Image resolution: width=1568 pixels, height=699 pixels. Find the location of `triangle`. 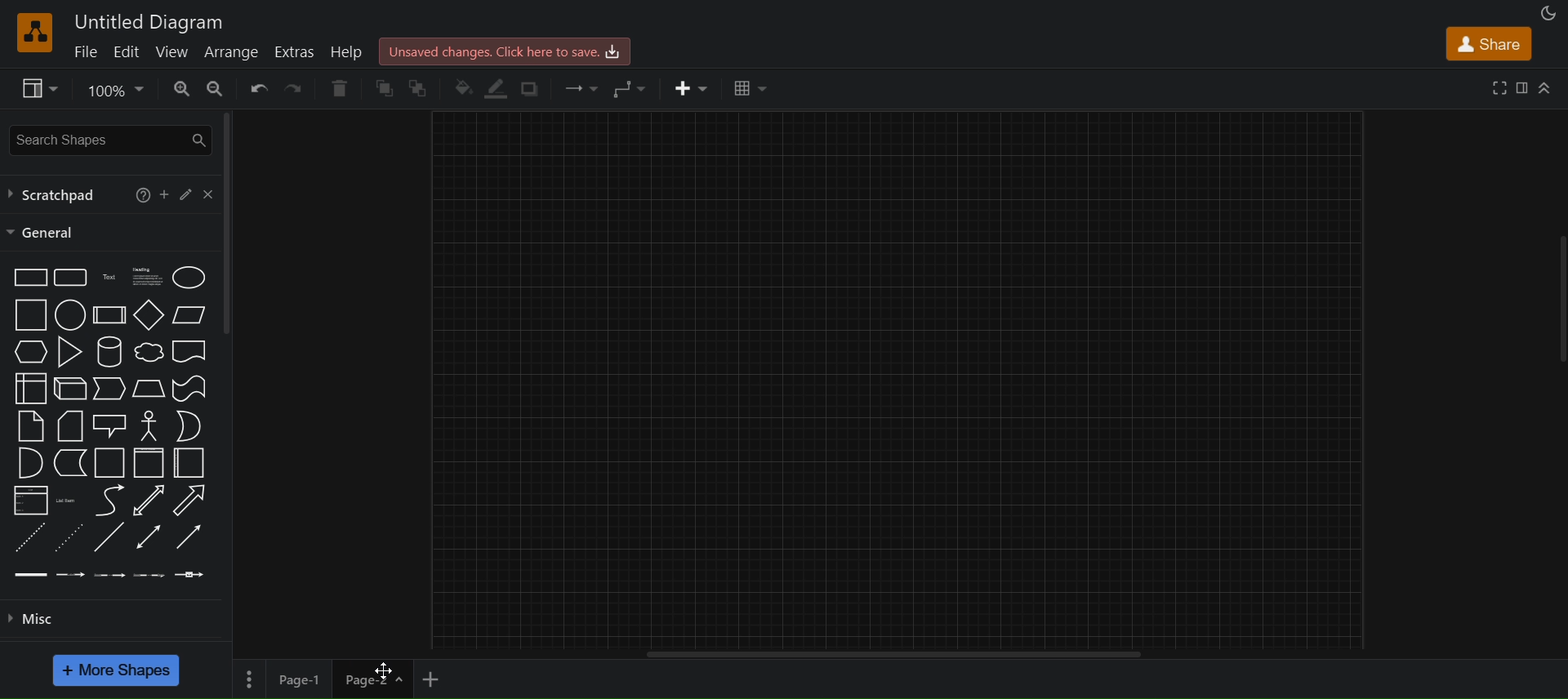

triangle is located at coordinates (71, 351).